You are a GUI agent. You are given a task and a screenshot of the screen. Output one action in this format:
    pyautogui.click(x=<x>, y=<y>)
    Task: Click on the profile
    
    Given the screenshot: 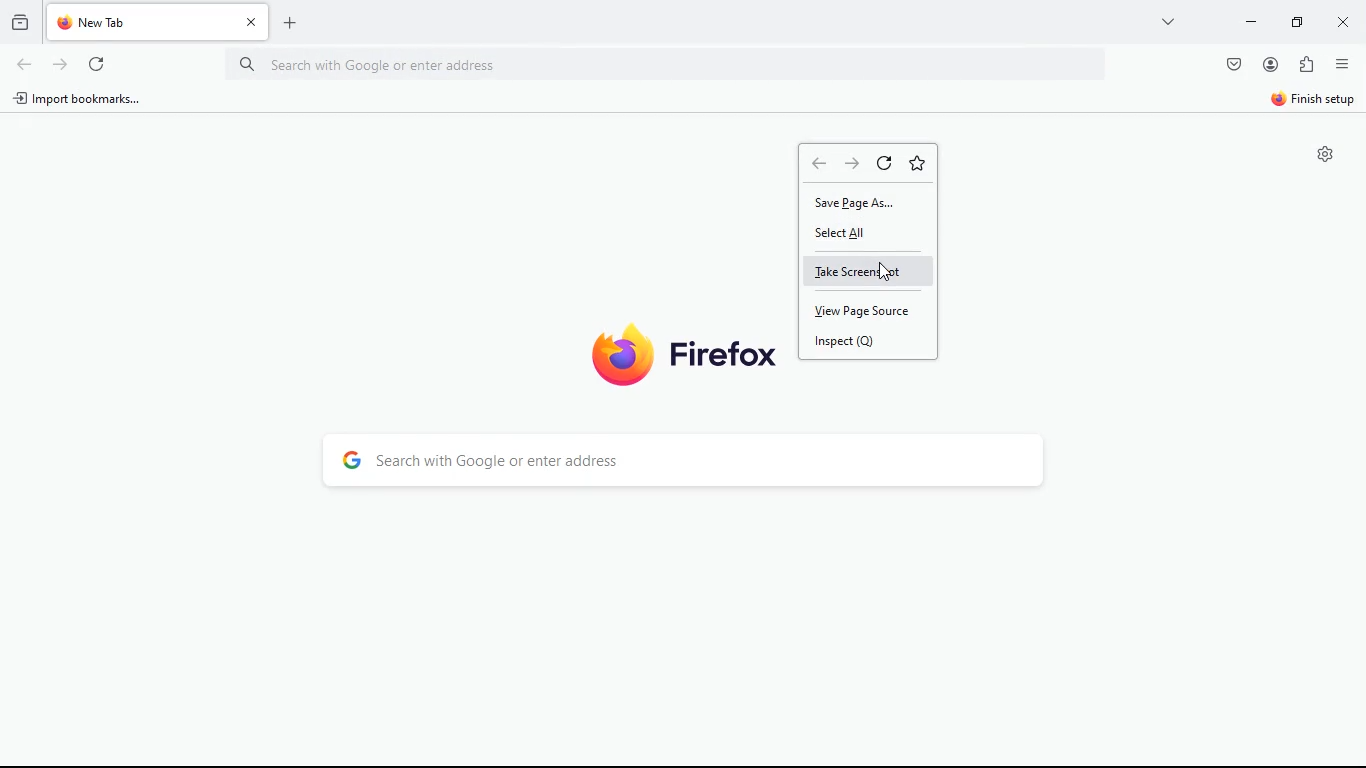 What is the action you would take?
    pyautogui.click(x=1270, y=65)
    